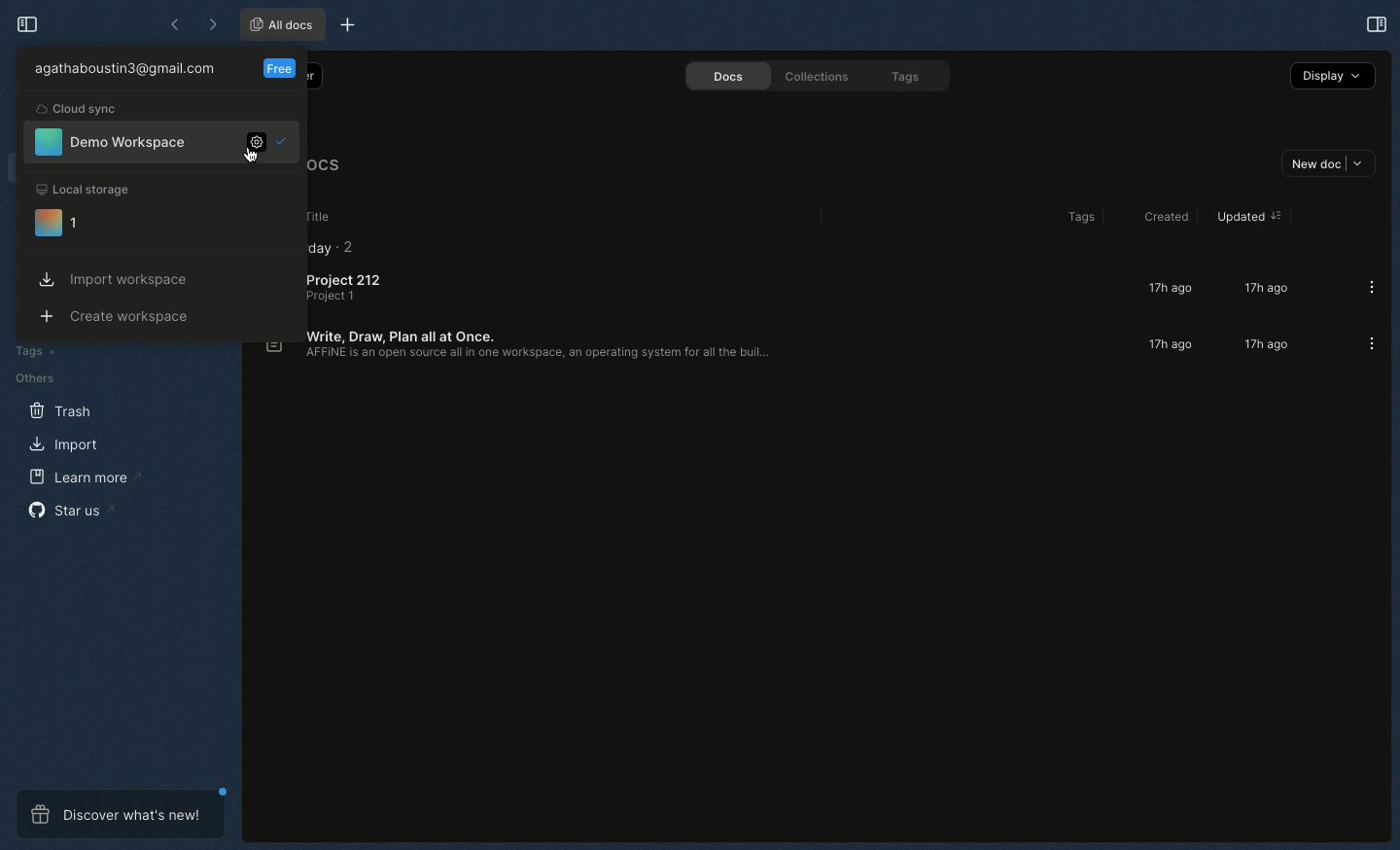 This screenshot has height=850, width=1400. Describe the element at coordinates (60, 224) in the screenshot. I see `1 workspace` at that location.